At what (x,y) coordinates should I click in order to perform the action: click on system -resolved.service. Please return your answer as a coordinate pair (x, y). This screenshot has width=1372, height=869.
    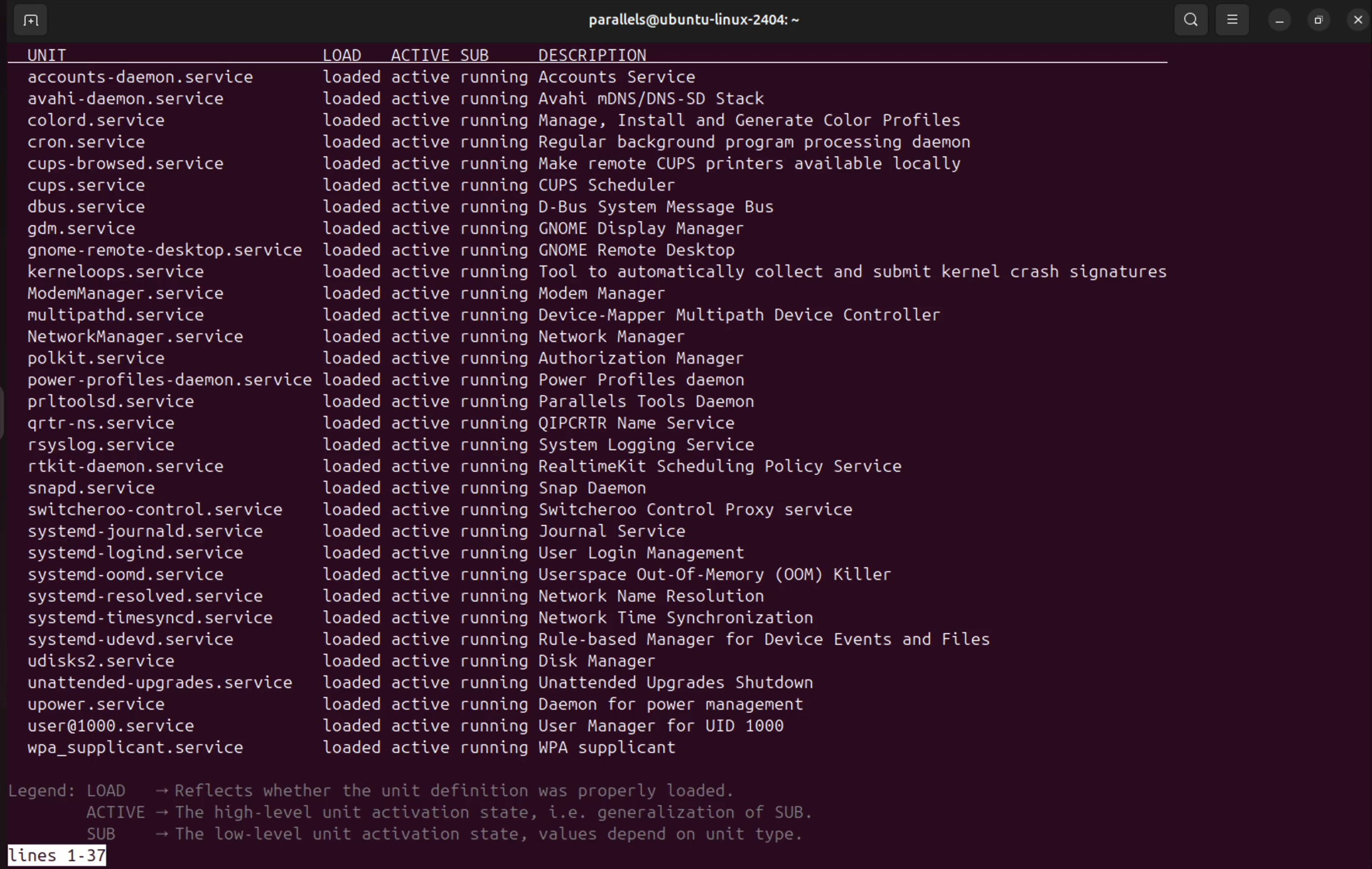
    Looking at the image, I should click on (149, 599).